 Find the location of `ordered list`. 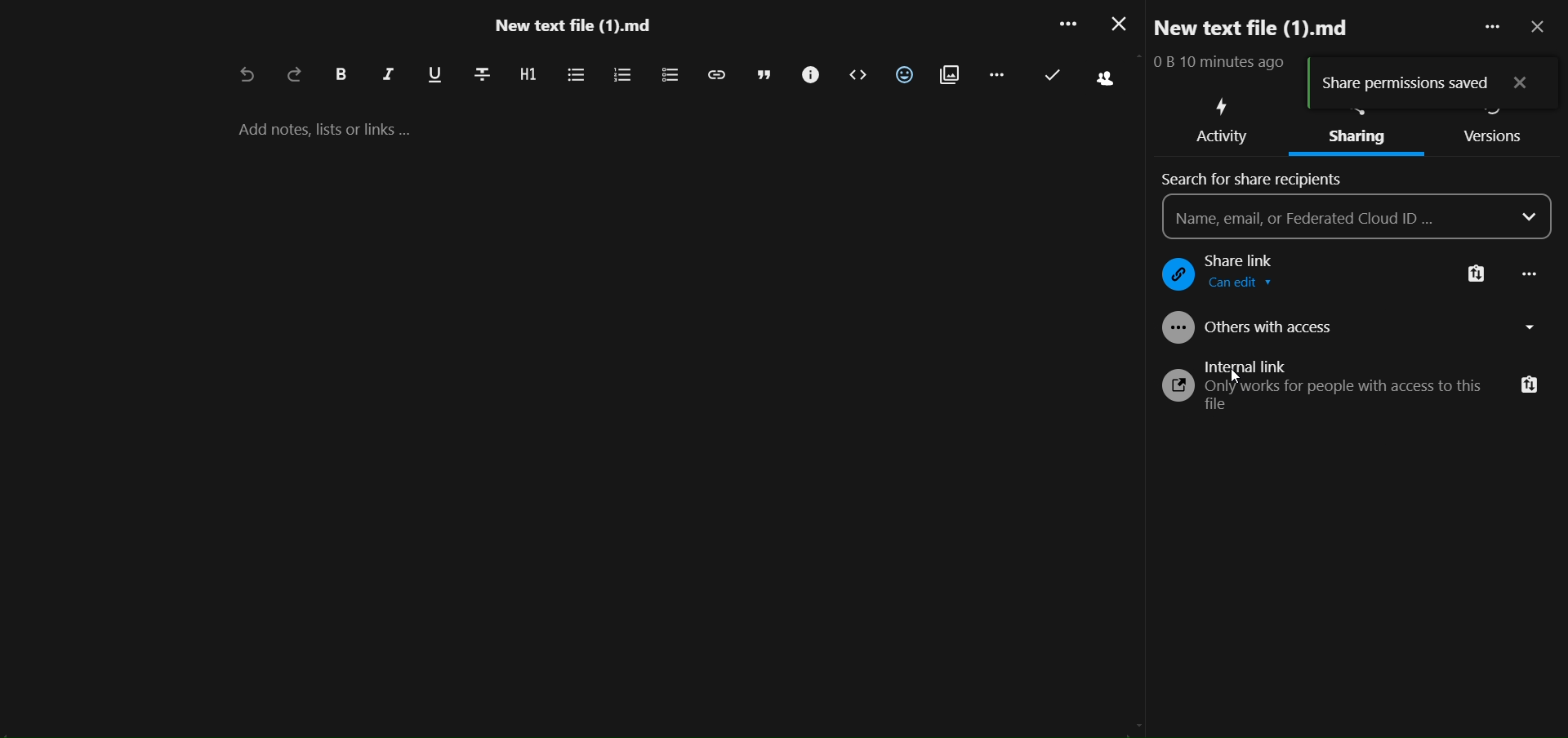

ordered list is located at coordinates (621, 76).